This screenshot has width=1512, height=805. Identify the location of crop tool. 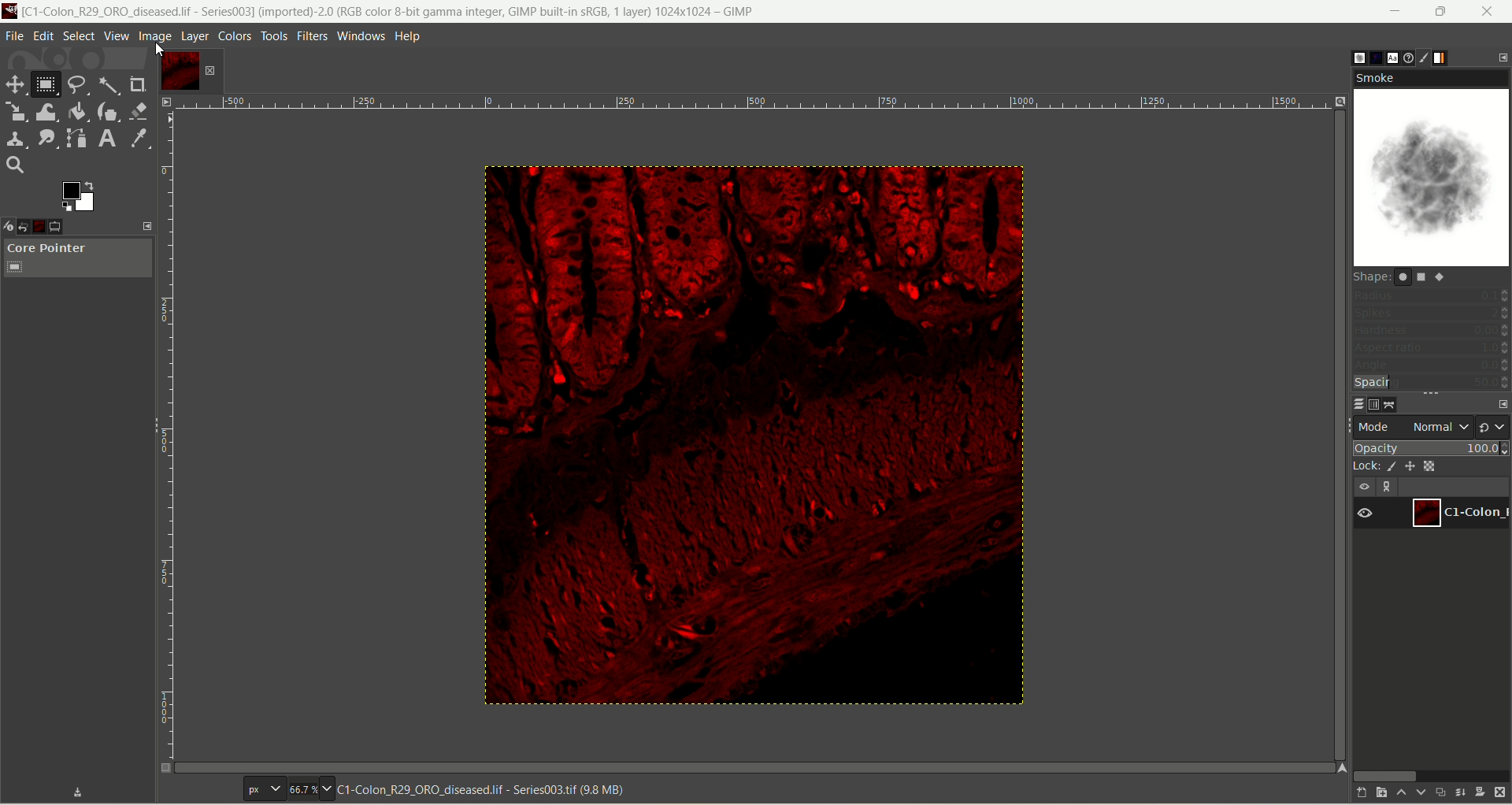
(139, 84).